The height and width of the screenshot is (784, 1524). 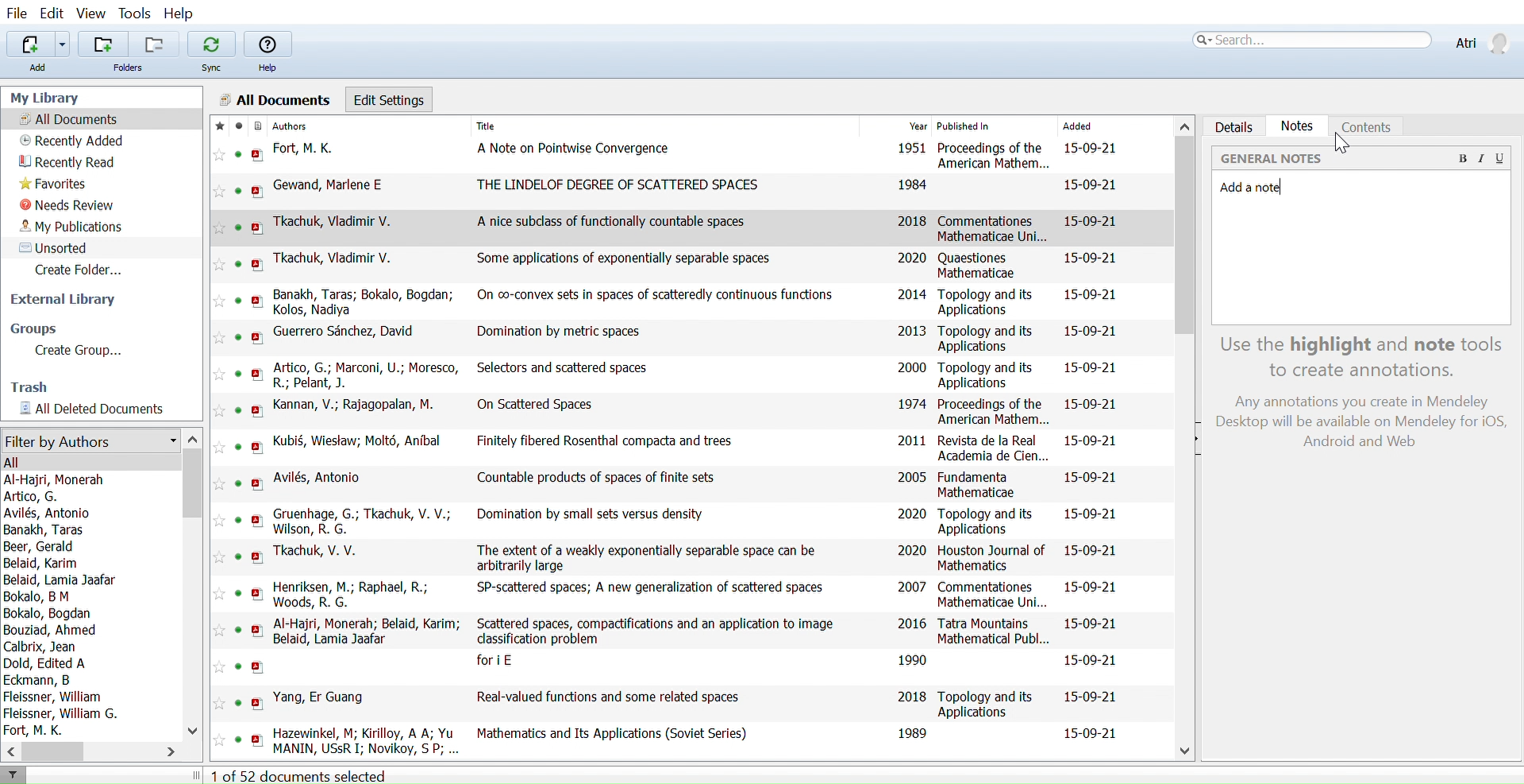 I want to click on Use the highlight and note tools
to create annotations., so click(x=1364, y=358).